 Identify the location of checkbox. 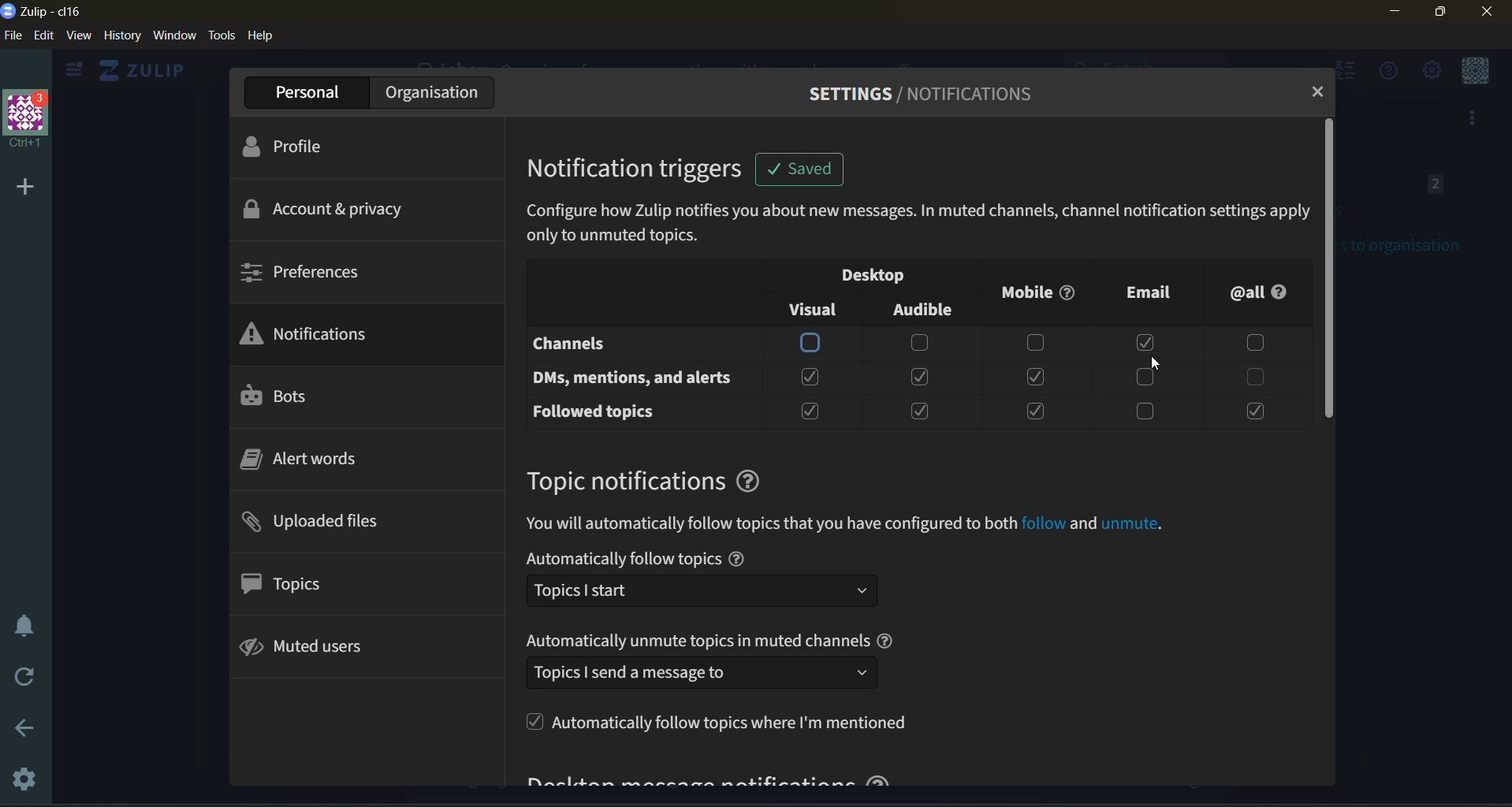
(810, 411).